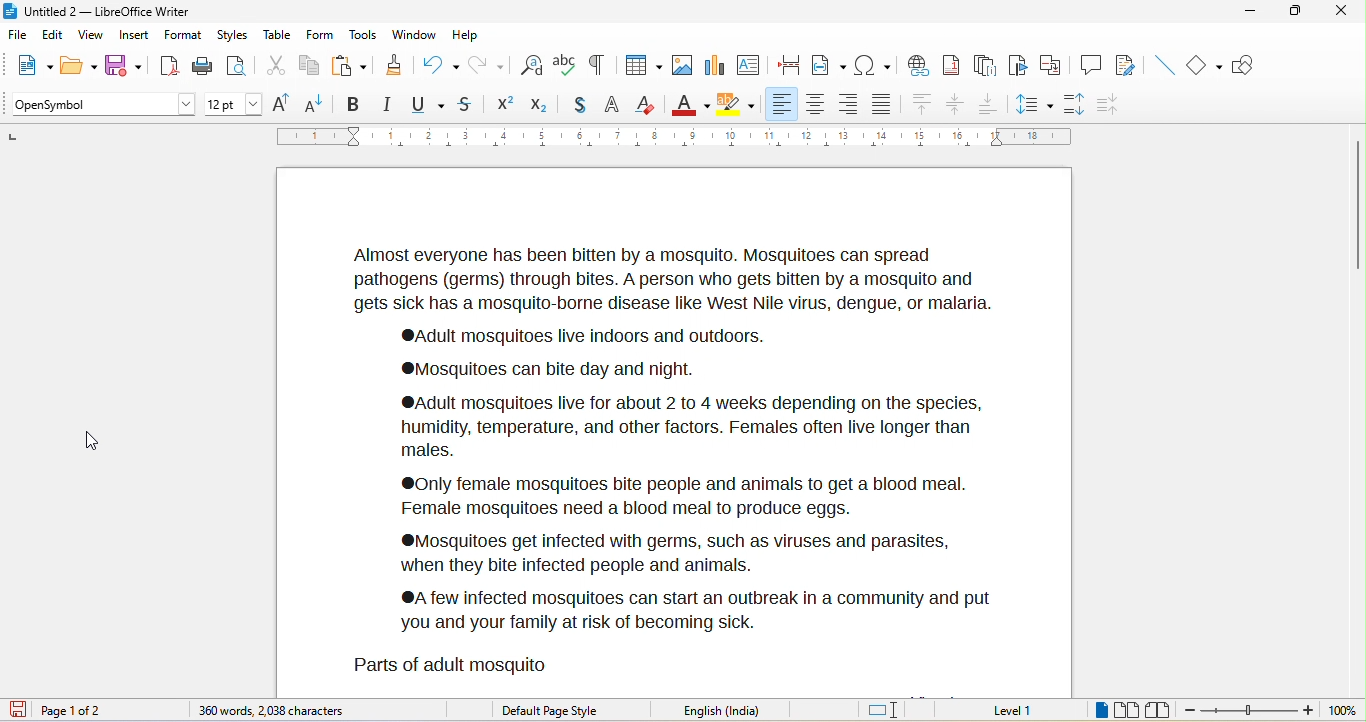 The width and height of the screenshot is (1366, 722). What do you see at coordinates (689, 102) in the screenshot?
I see `font color` at bounding box center [689, 102].